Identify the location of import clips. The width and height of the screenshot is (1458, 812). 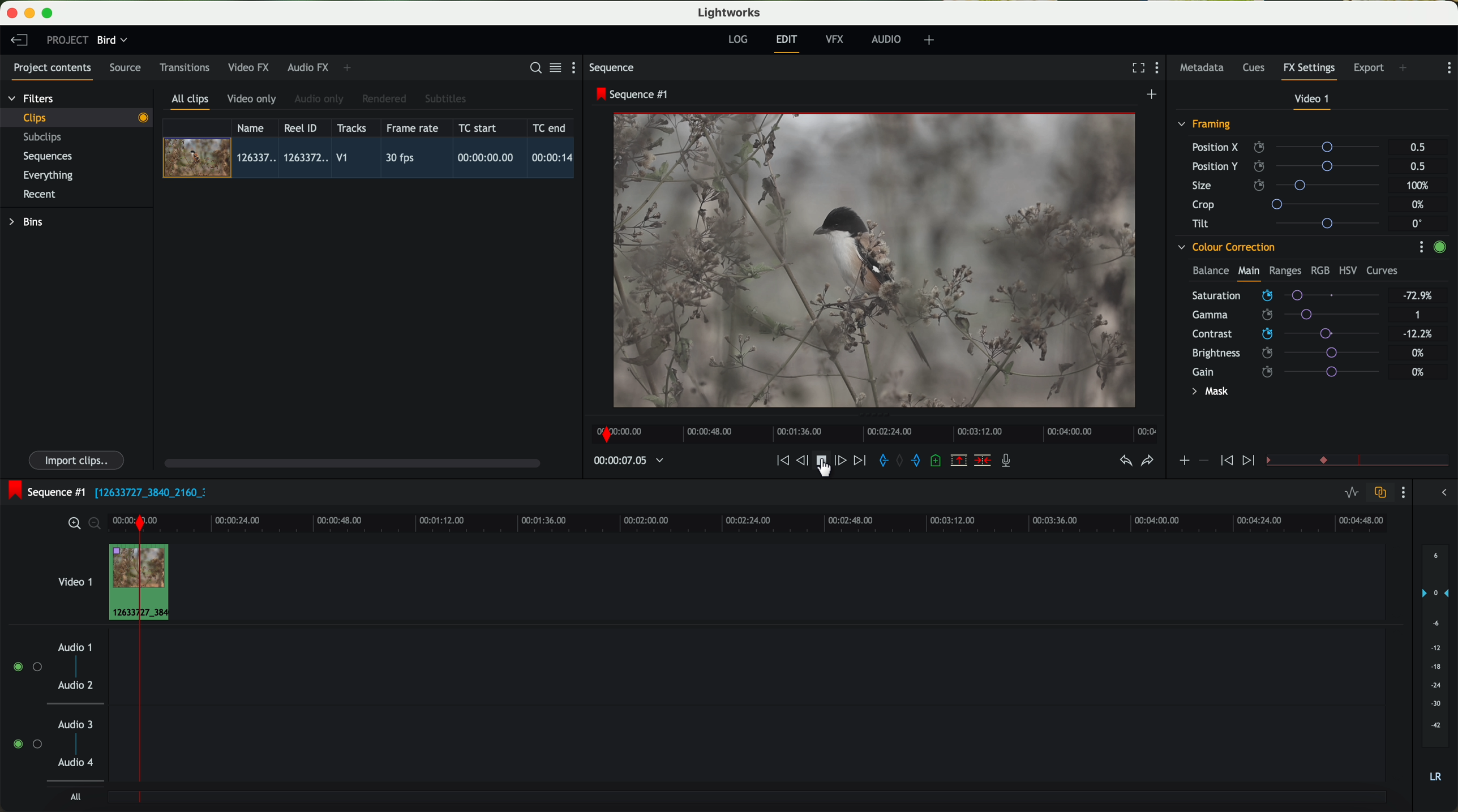
(78, 459).